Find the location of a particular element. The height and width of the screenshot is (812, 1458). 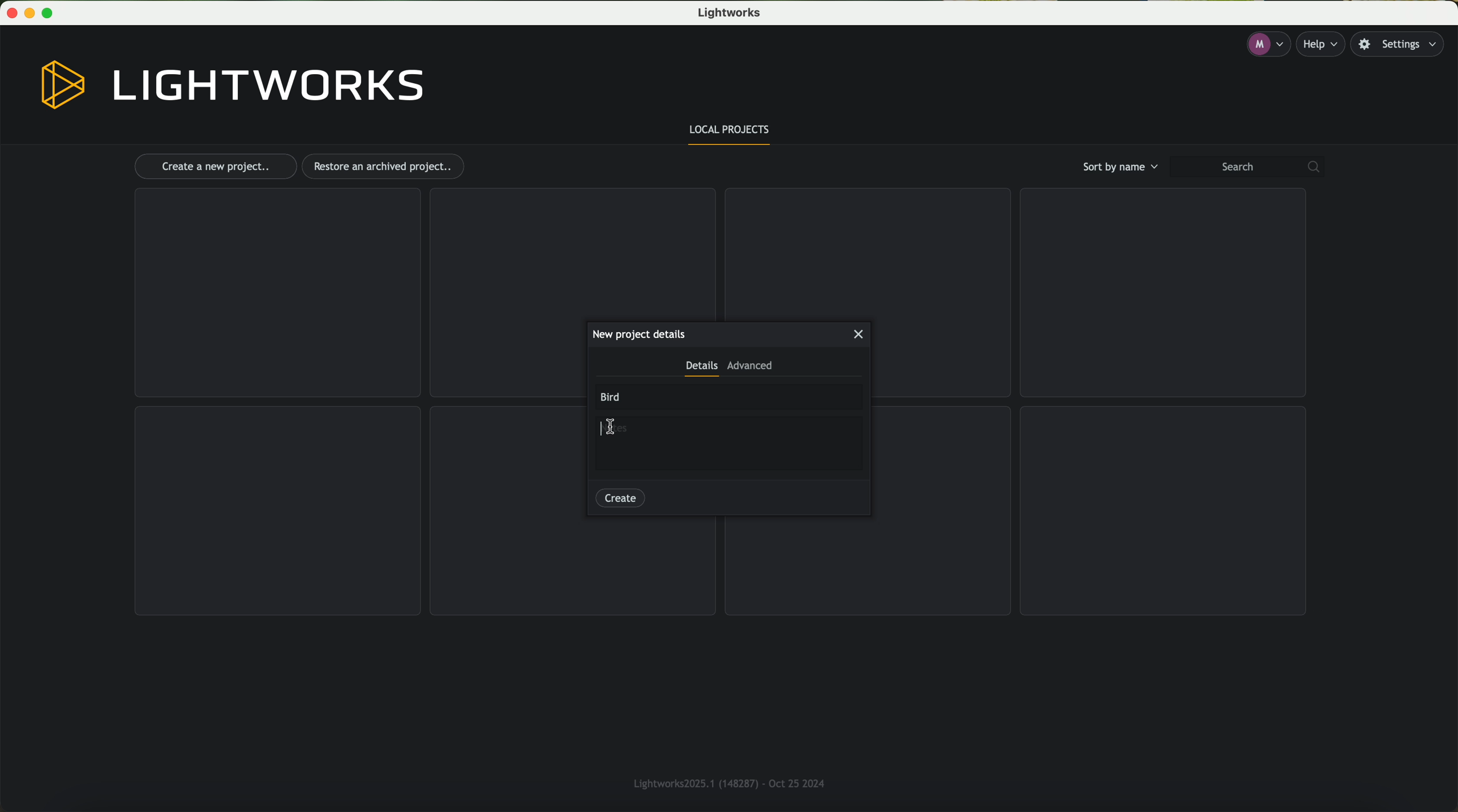

grid is located at coordinates (1164, 510).